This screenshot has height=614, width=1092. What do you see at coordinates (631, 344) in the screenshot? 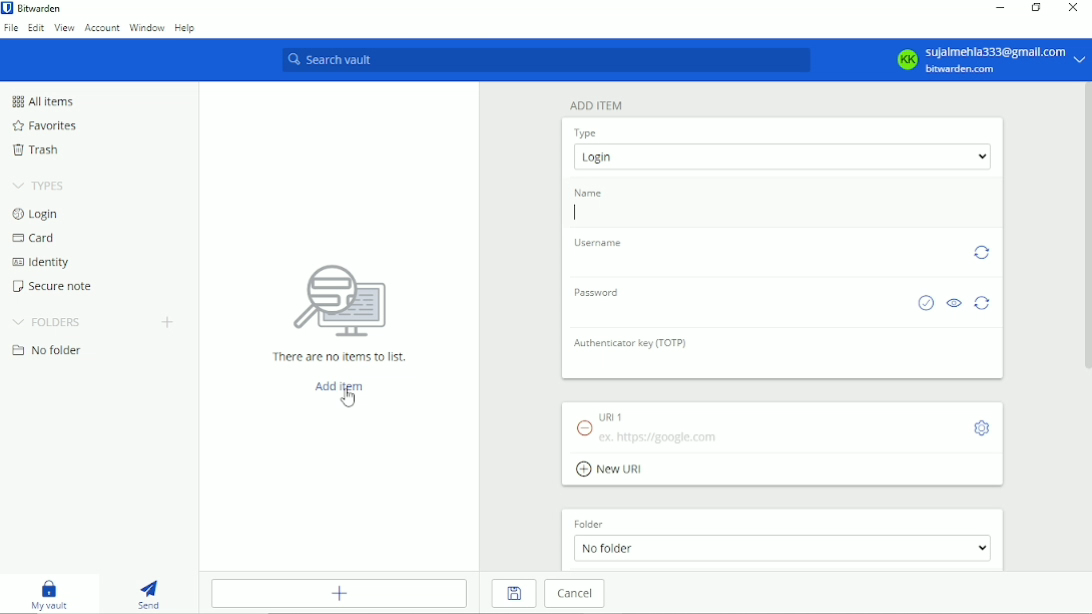
I see `Authenticator key (TOTP)` at bounding box center [631, 344].